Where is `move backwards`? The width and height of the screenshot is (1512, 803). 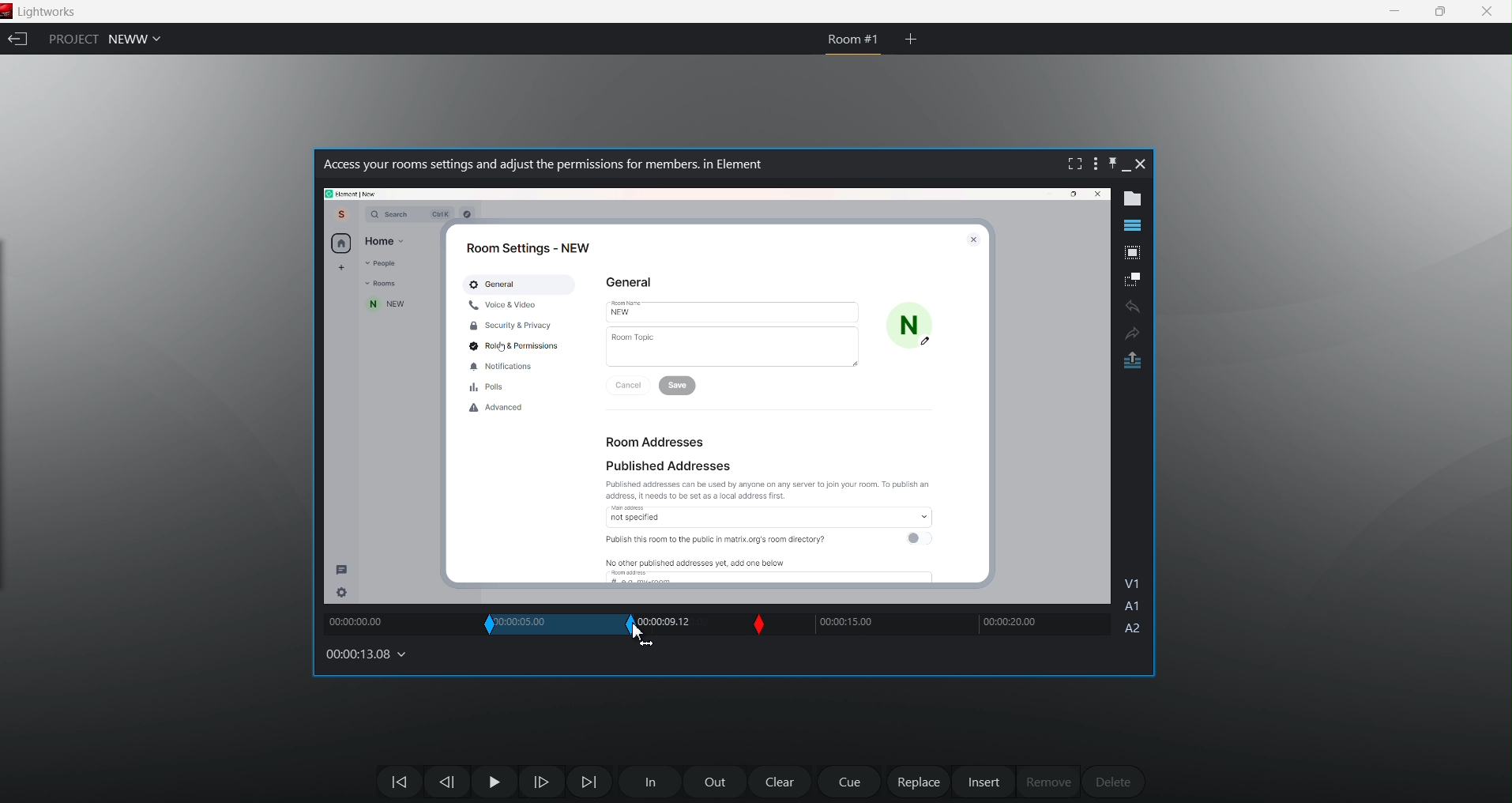
move backwards is located at coordinates (392, 778).